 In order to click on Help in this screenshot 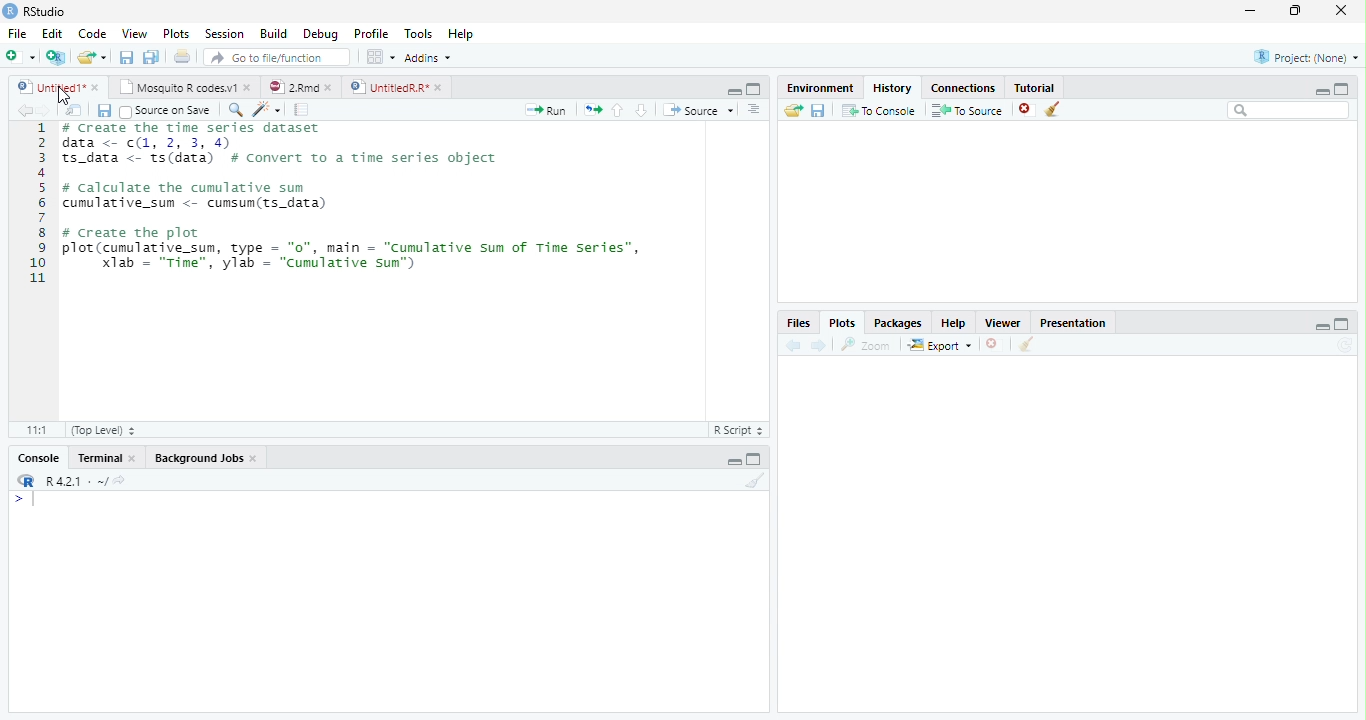, I will do `click(462, 36)`.